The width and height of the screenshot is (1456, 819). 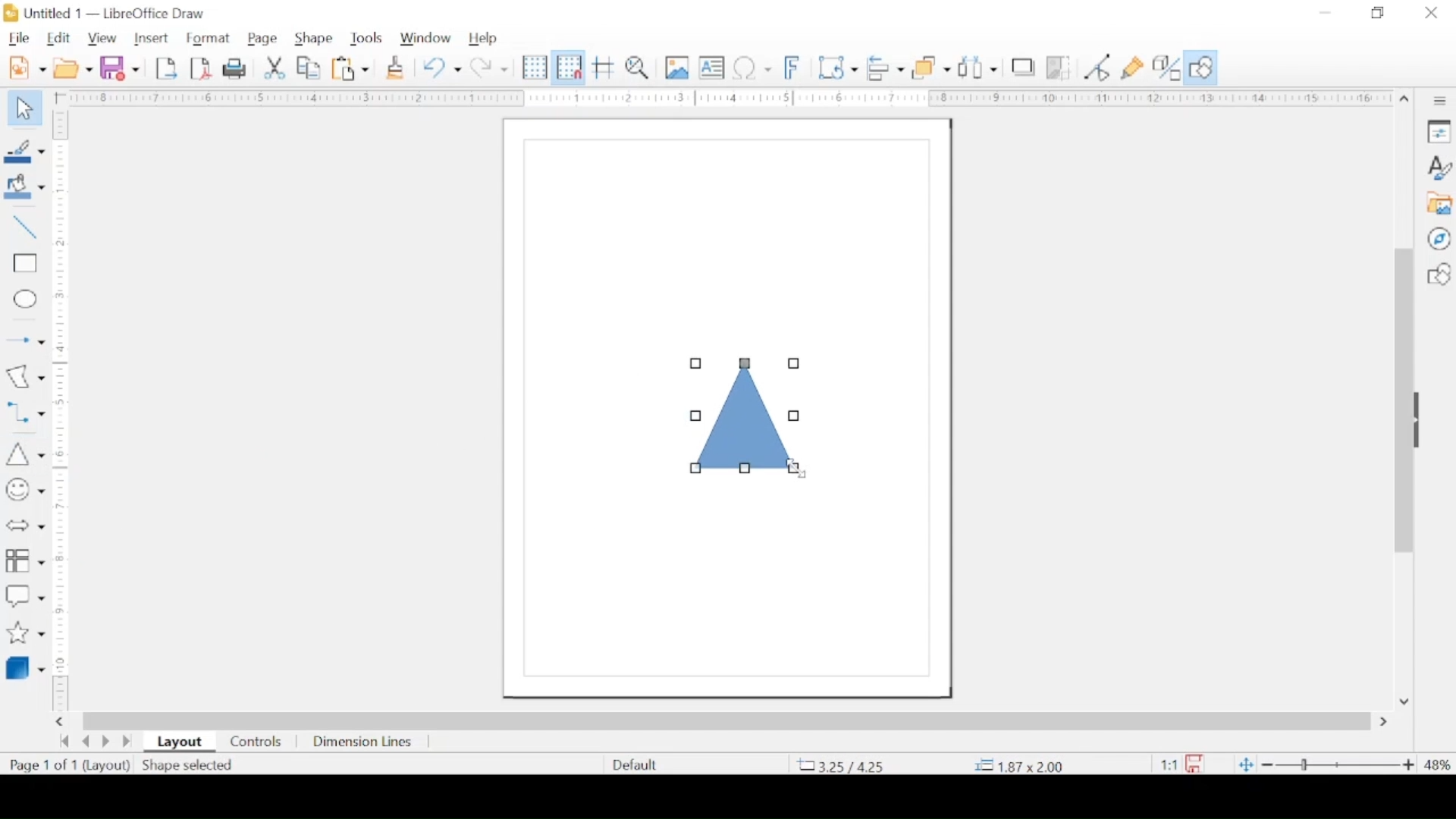 What do you see at coordinates (25, 559) in the screenshot?
I see `flowchart` at bounding box center [25, 559].